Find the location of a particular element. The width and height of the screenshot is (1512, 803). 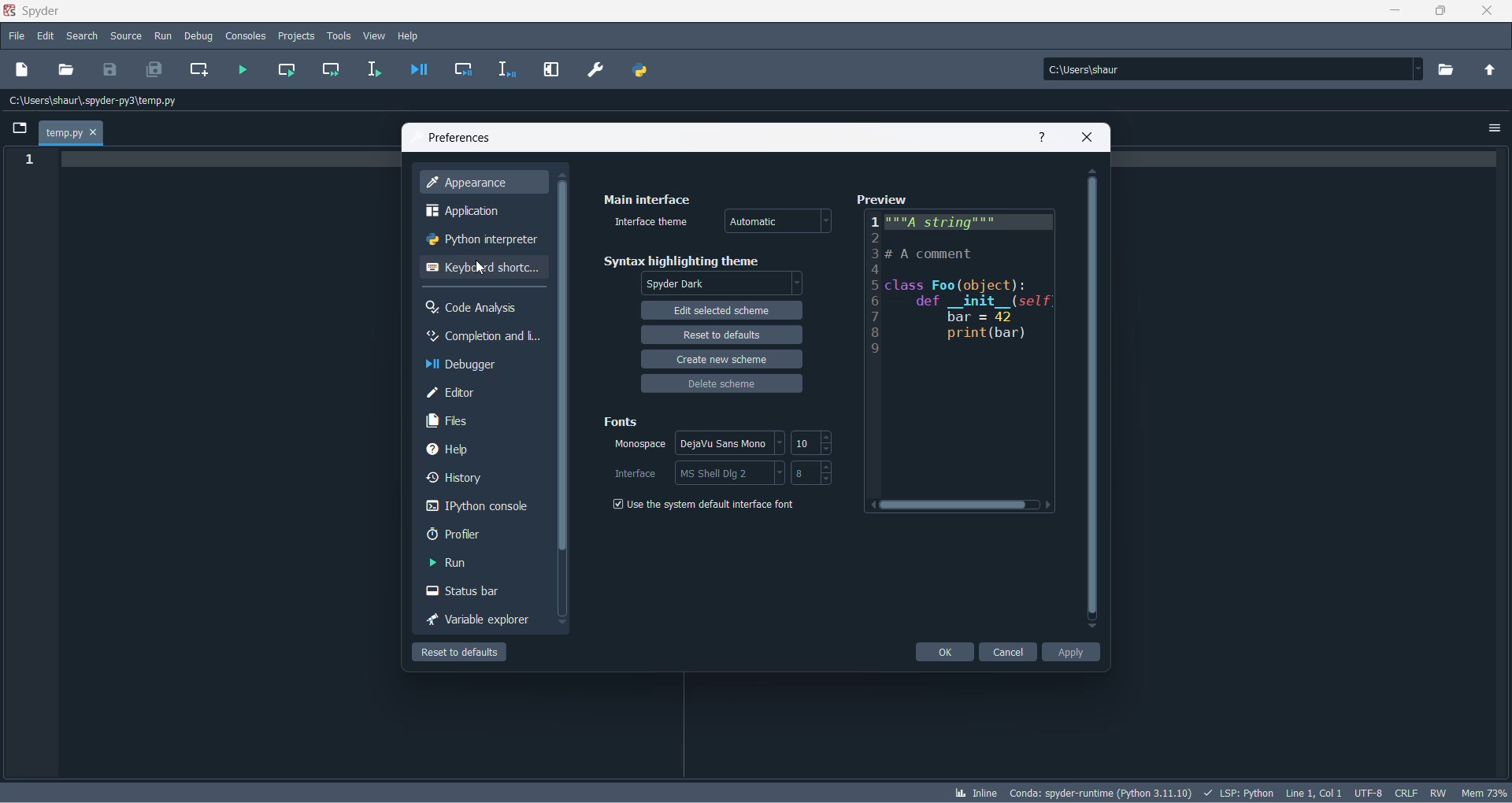

open  is located at coordinates (67, 71).